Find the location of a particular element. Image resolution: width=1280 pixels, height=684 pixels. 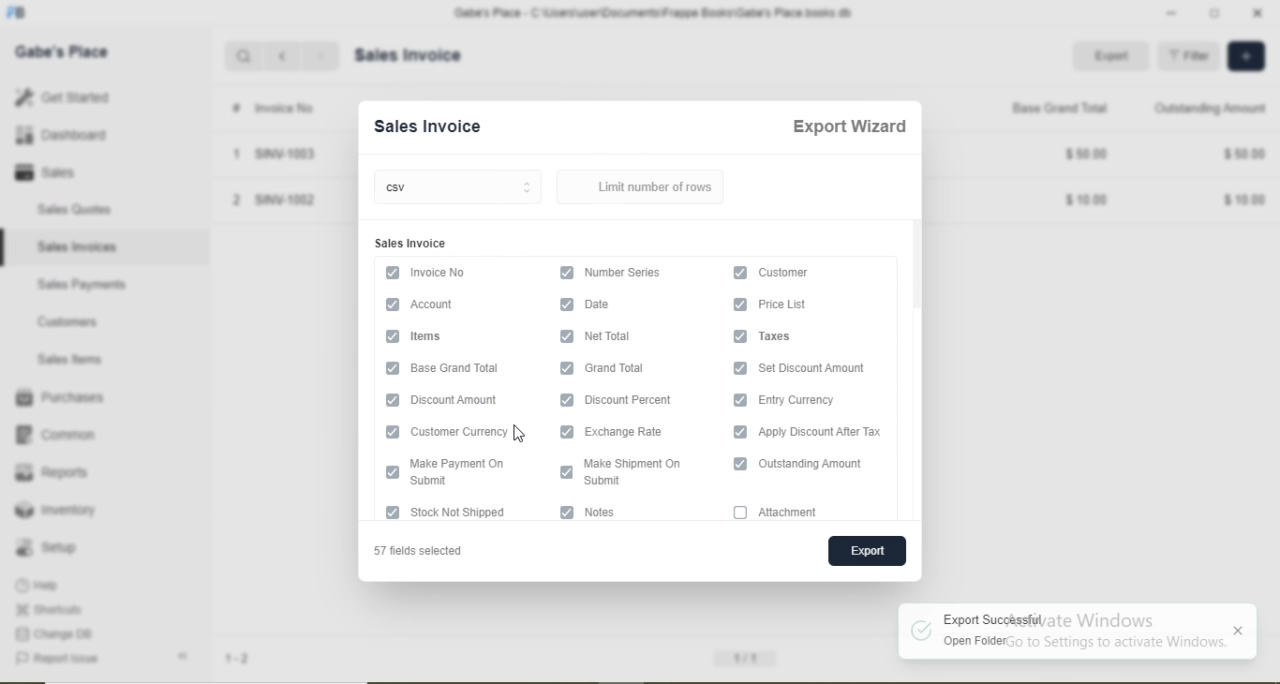

checkbox is located at coordinates (741, 465).